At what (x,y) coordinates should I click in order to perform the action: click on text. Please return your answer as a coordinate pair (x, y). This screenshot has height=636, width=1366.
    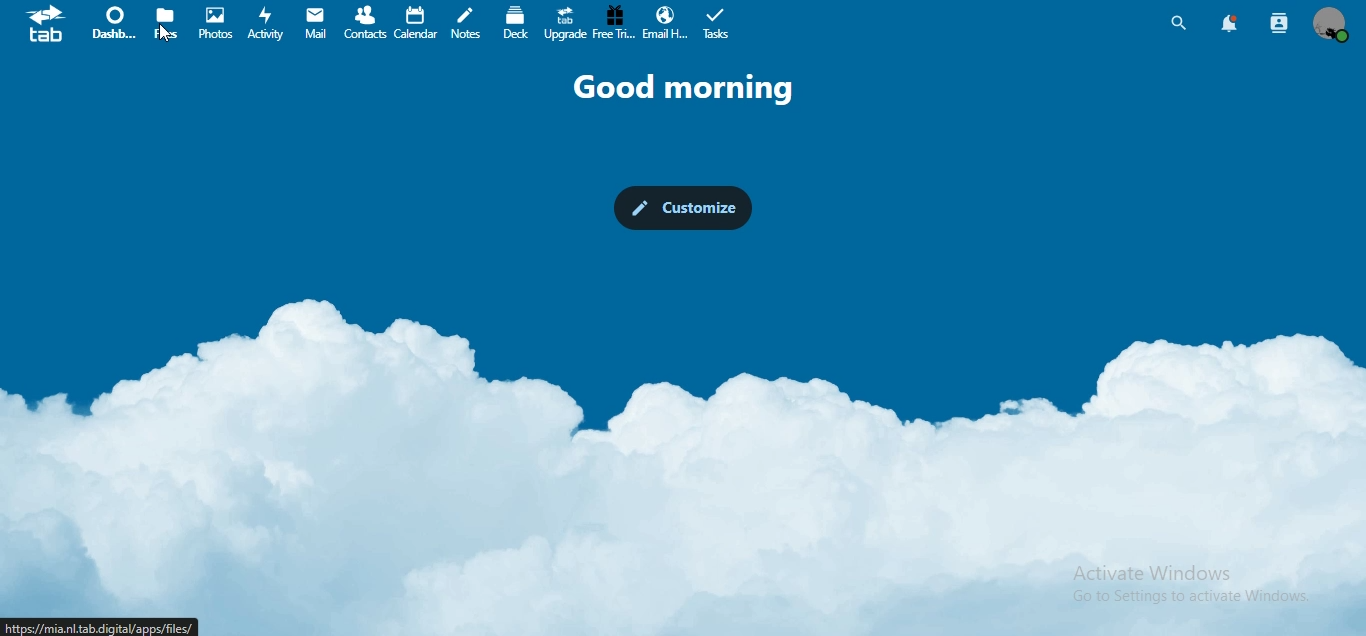
    Looking at the image, I should click on (693, 87).